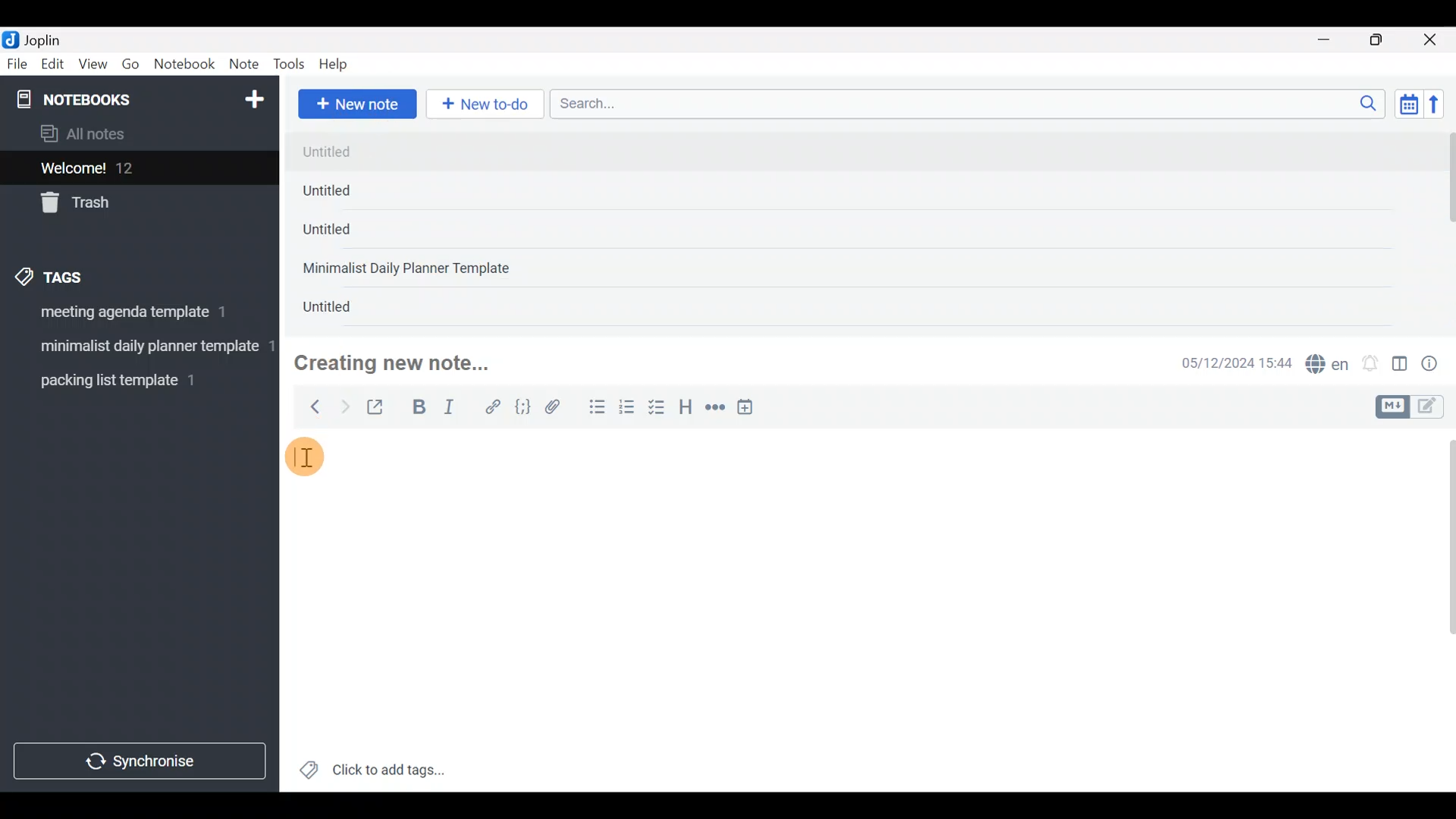 The image size is (1456, 819). I want to click on Text editor, so click(846, 610).